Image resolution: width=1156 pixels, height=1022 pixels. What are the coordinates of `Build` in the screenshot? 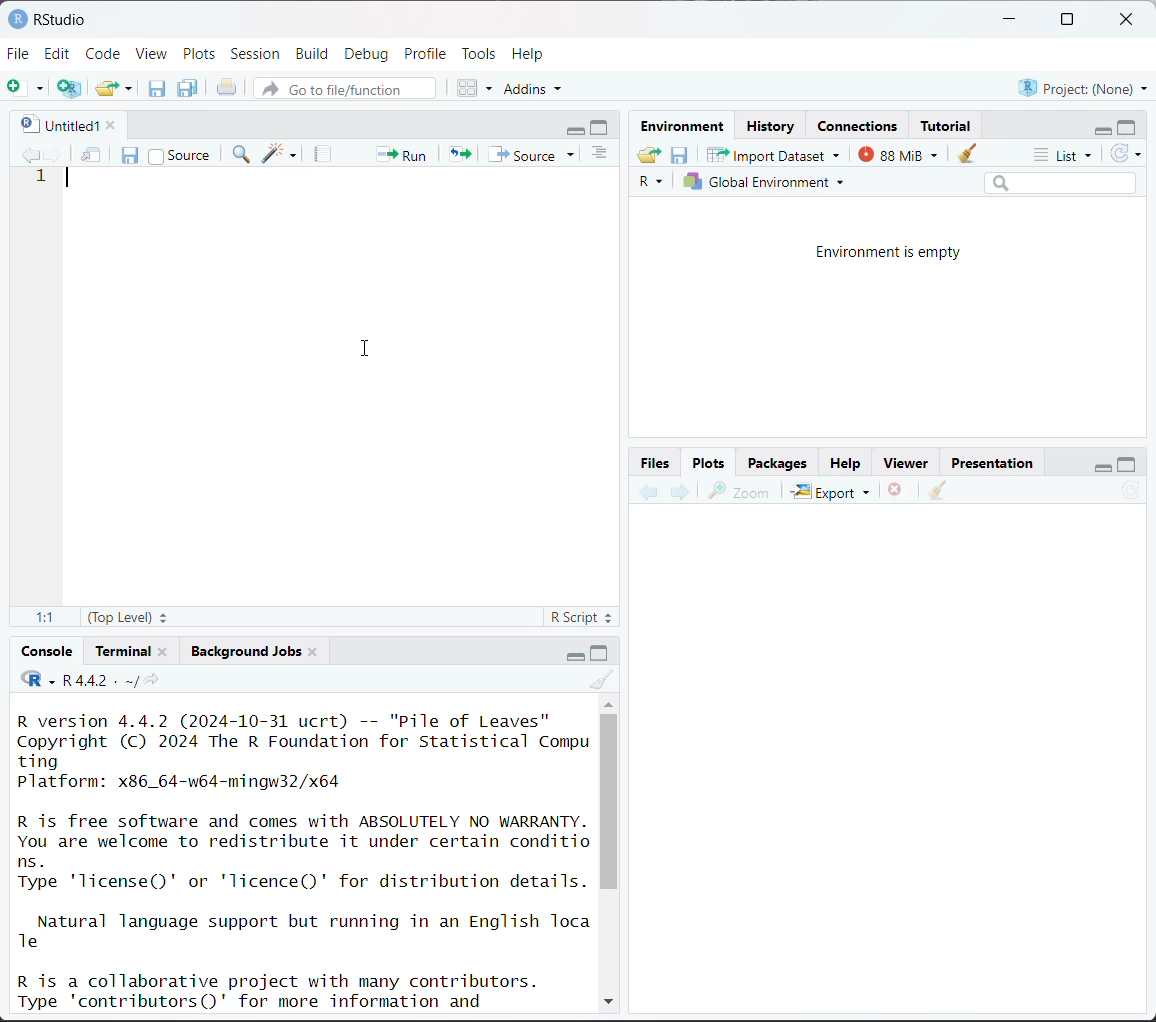 It's located at (315, 54).